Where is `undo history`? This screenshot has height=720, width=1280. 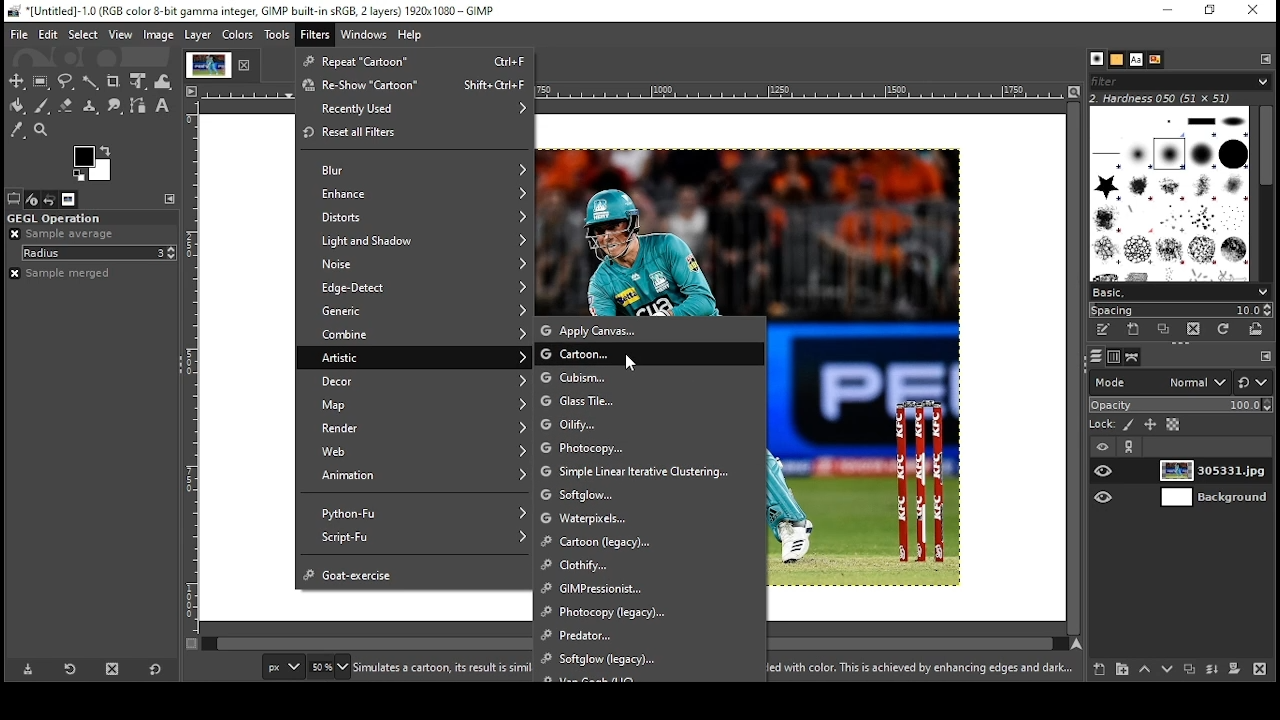
undo history is located at coordinates (50, 200).